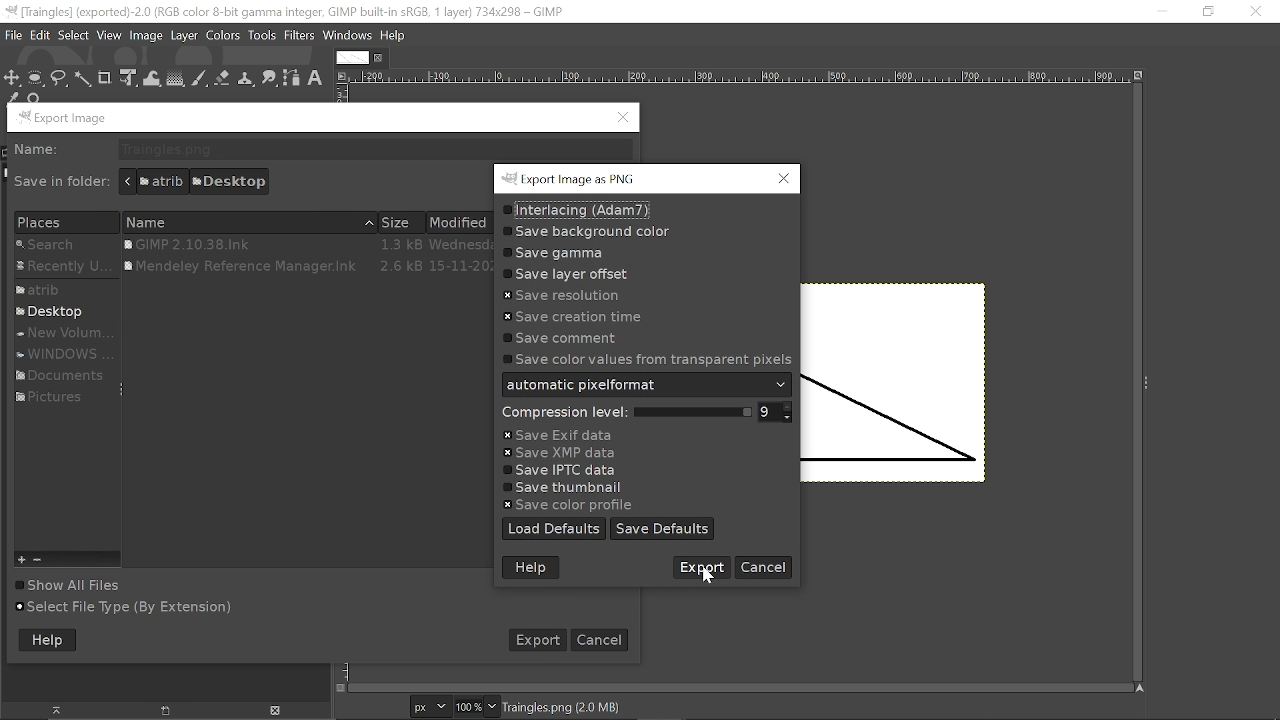  What do you see at coordinates (561, 706) in the screenshot?
I see `Format of the current file` at bounding box center [561, 706].